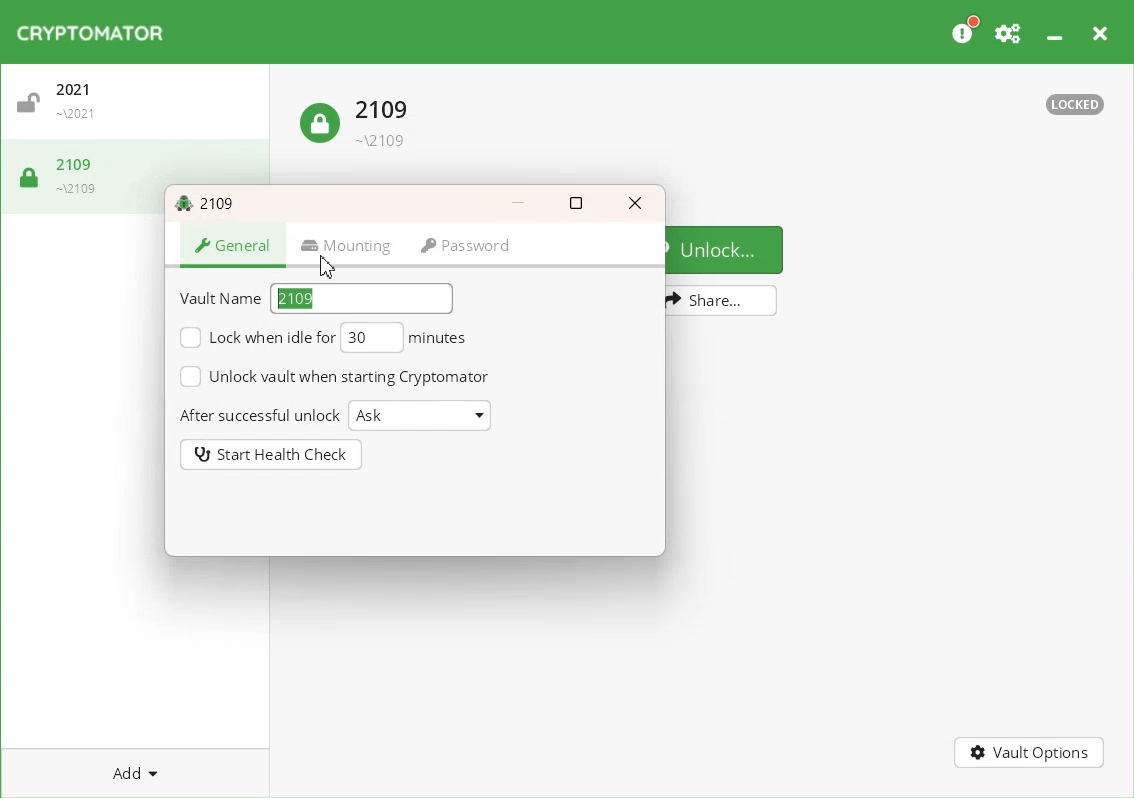 The height and width of the screenshot is (798, 1134). What do you see at coordinates (140, 106) in the screenshot?
I see `Unlock Vault` at bounding box center [140, 106].